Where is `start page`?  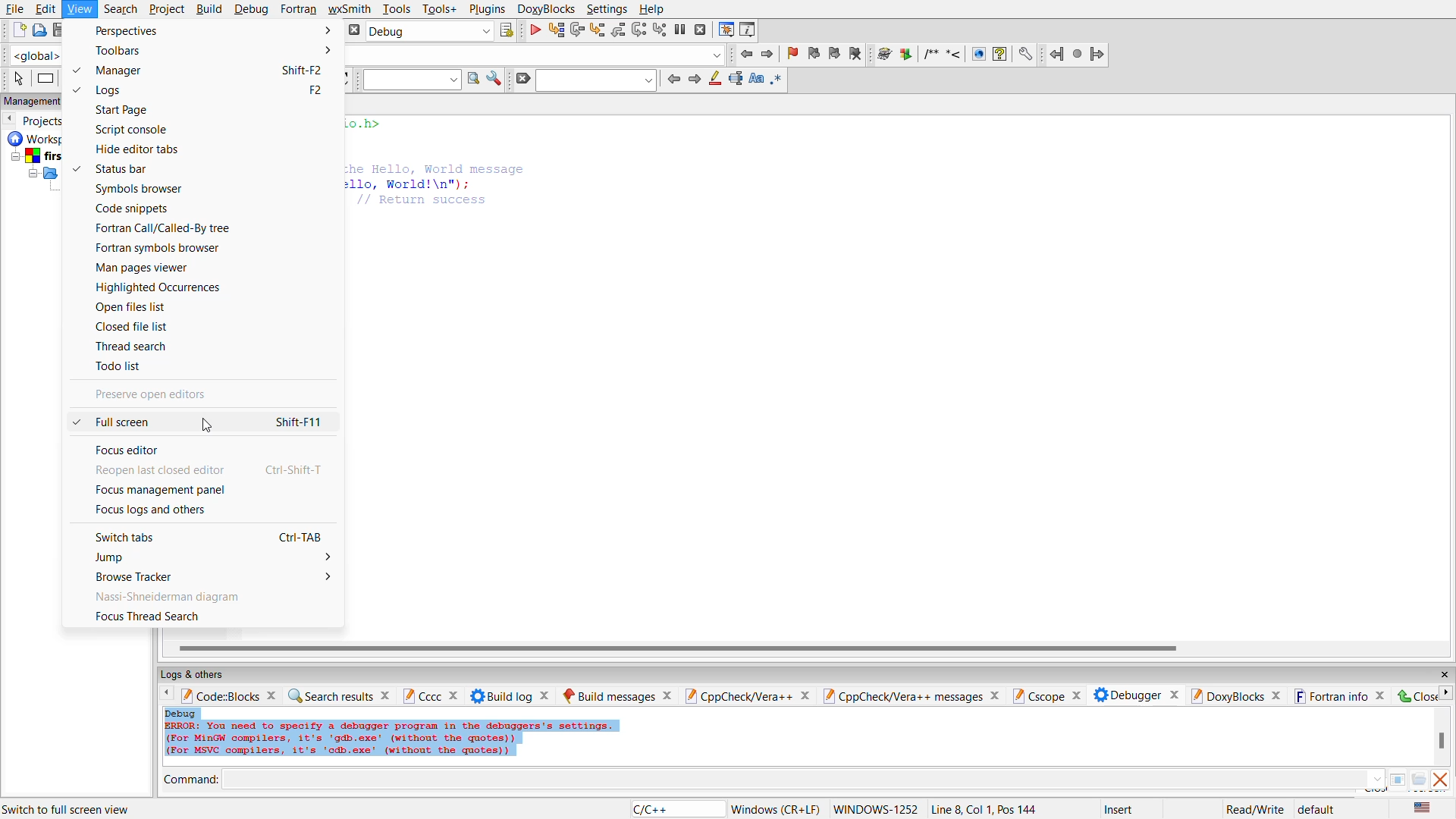 start page is located at coordinates (138, 110).